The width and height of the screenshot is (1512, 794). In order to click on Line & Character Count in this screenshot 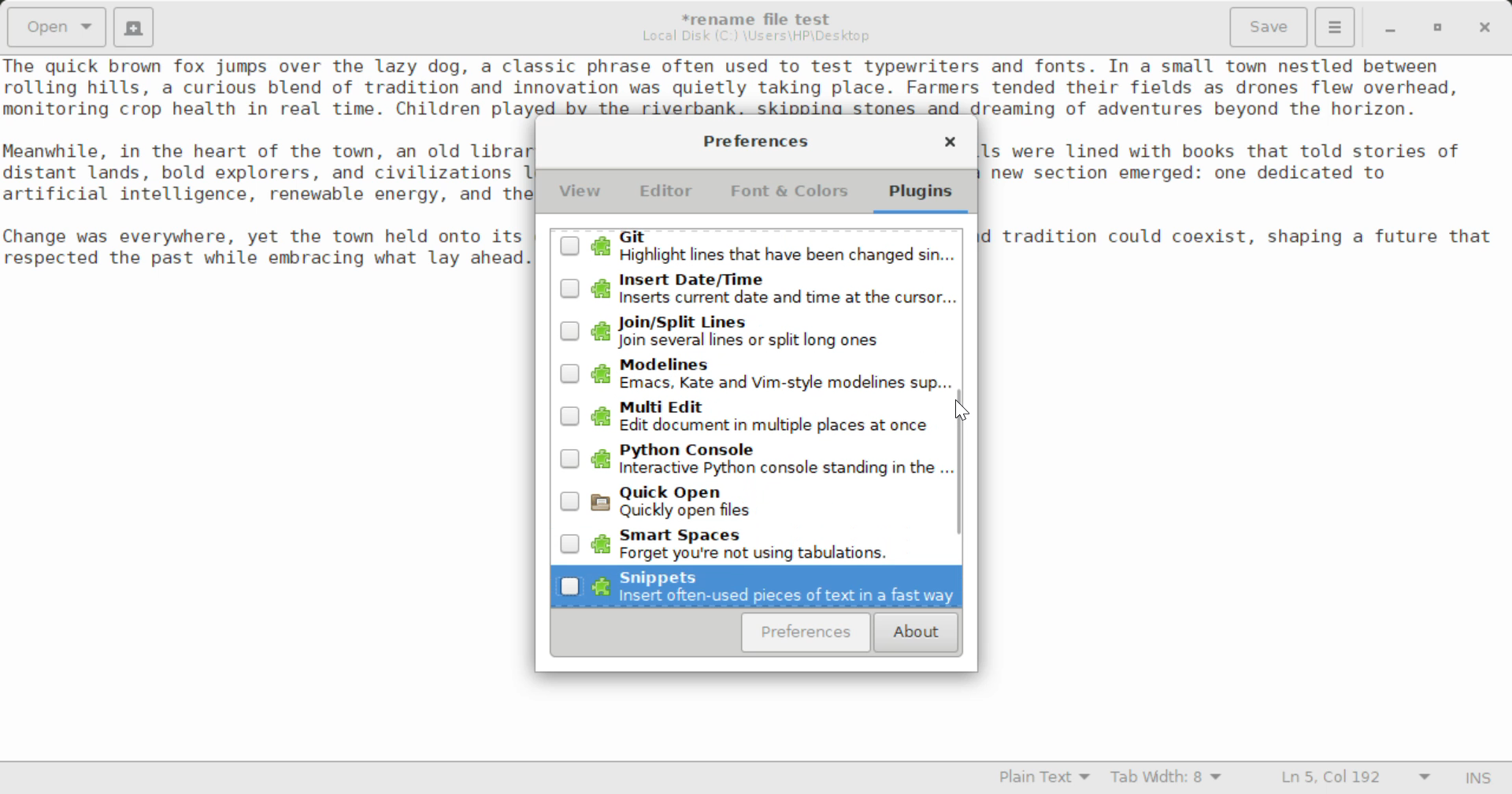, I will do `click(1356, 779)`.